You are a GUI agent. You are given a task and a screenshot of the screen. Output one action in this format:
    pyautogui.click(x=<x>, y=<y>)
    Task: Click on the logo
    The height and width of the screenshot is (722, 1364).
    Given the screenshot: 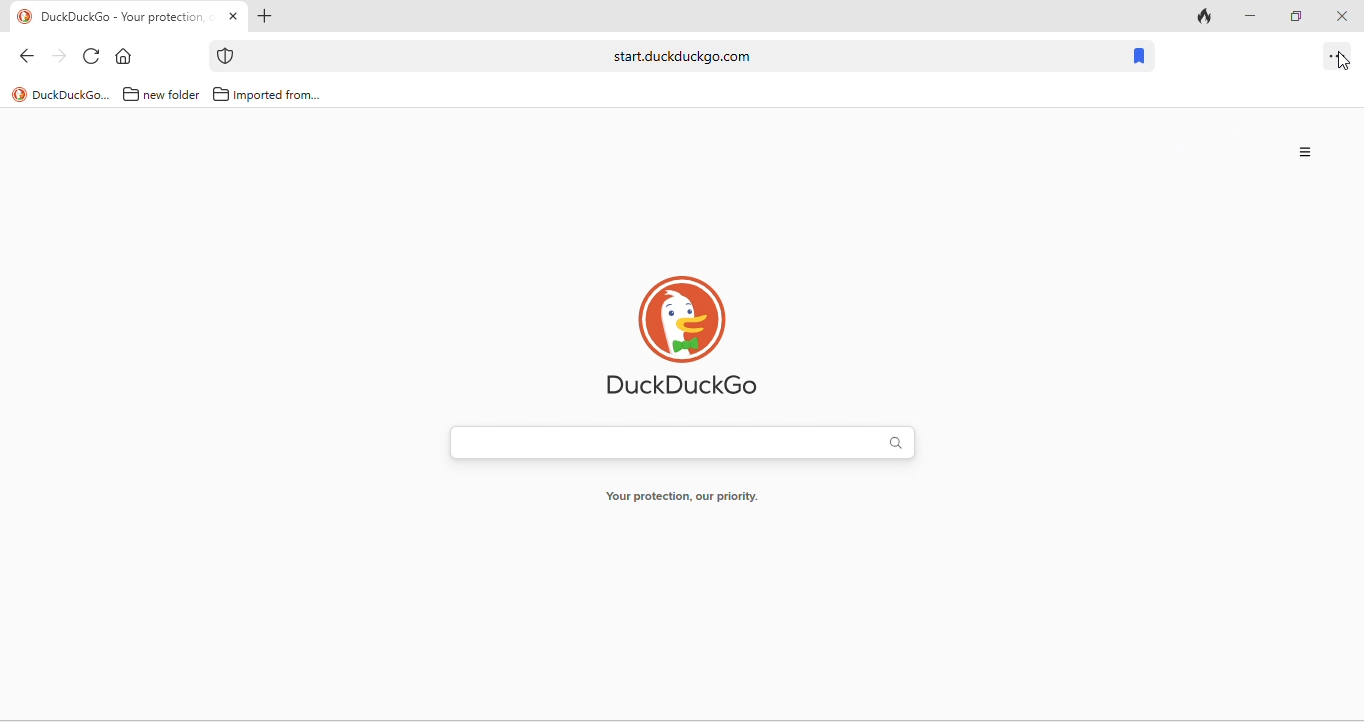 What is the action you would take?
    pyautogui.click(x=19, y=94)
    